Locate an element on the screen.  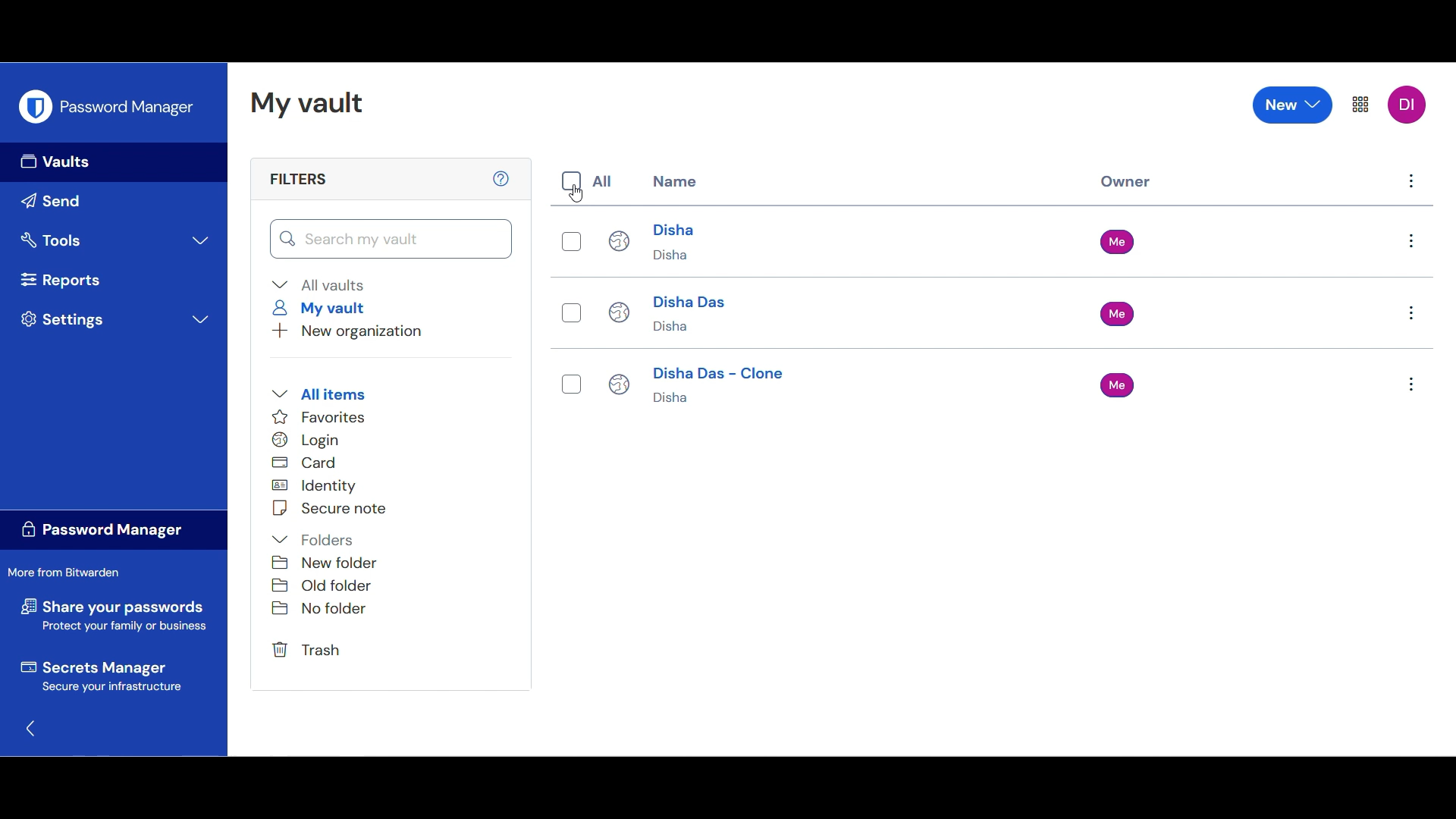
Vaults is located at coordinates (114, 162).